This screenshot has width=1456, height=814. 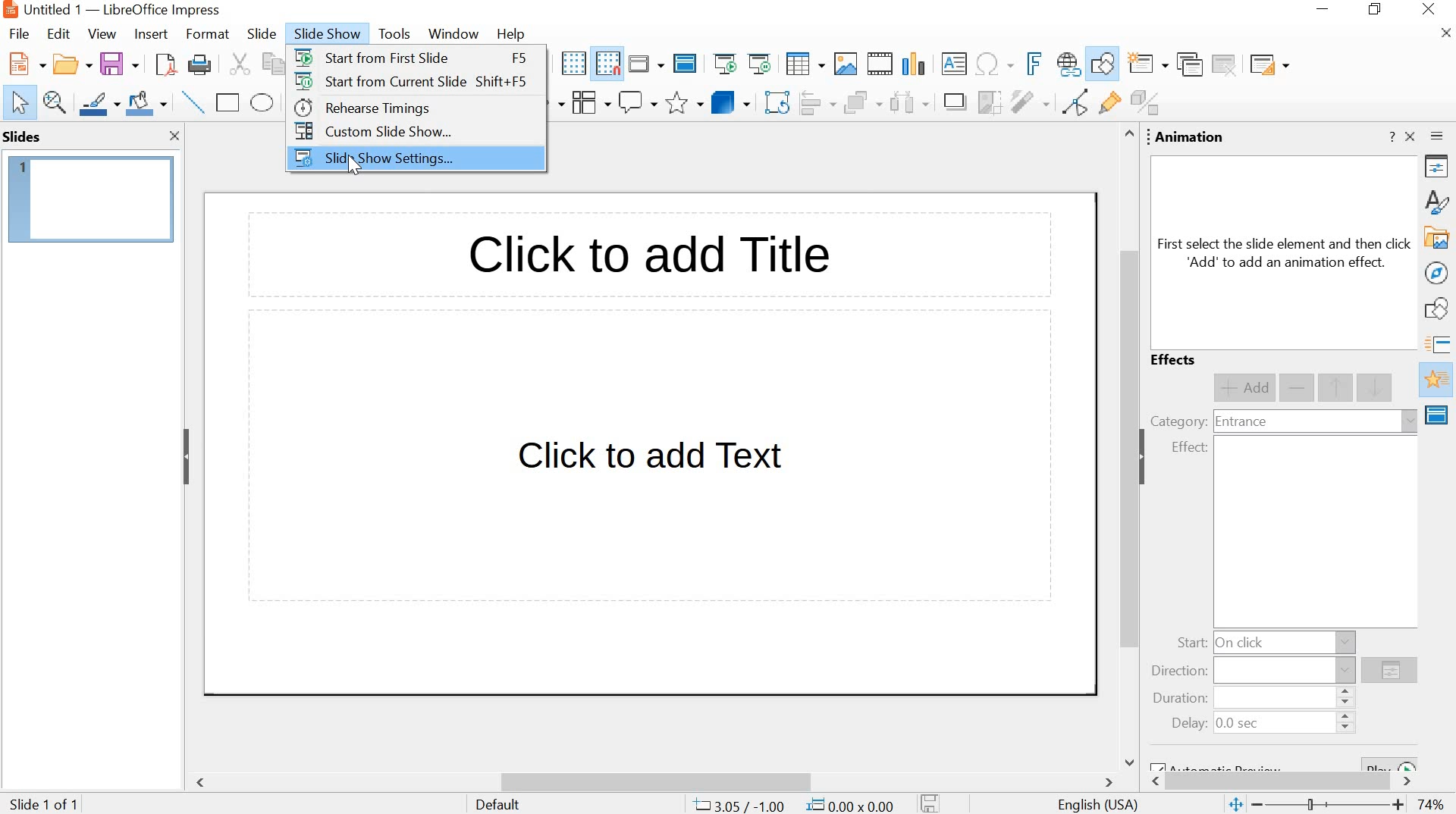 I want to click on insert menu, so click(x=149, y=34).